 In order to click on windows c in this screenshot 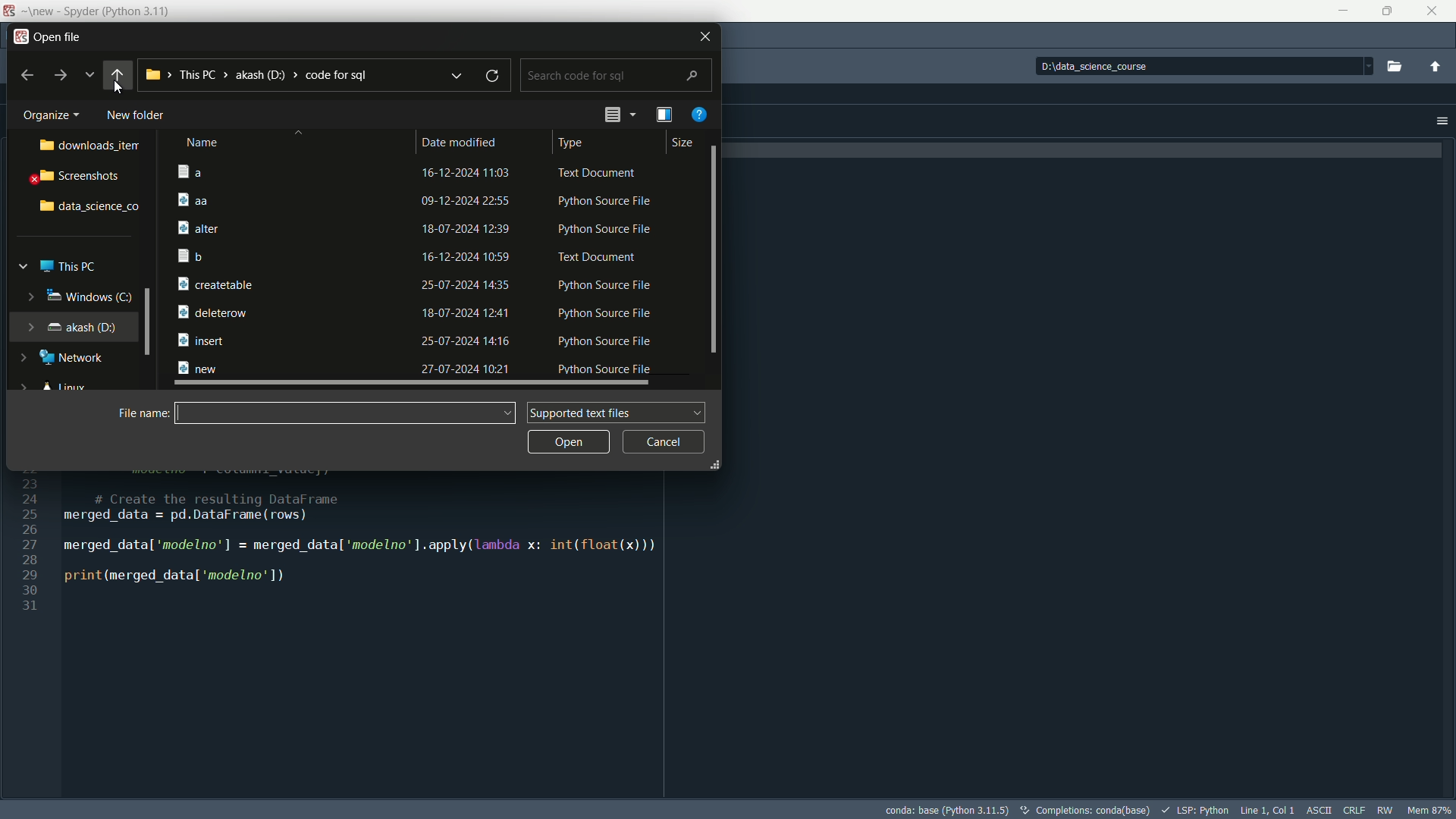, I will do `click(90, 297)`.